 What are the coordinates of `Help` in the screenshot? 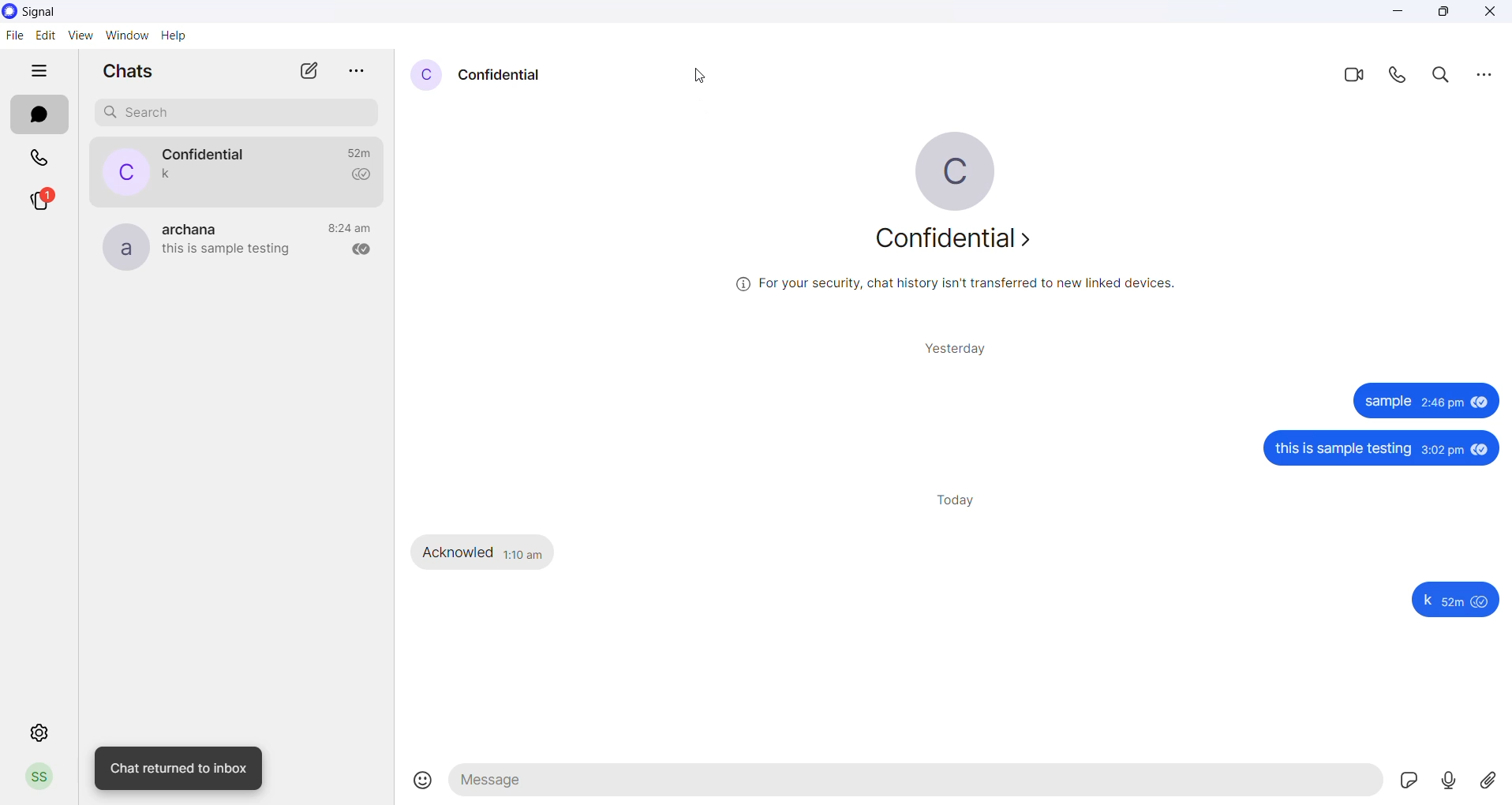 It's located at (175, 36).